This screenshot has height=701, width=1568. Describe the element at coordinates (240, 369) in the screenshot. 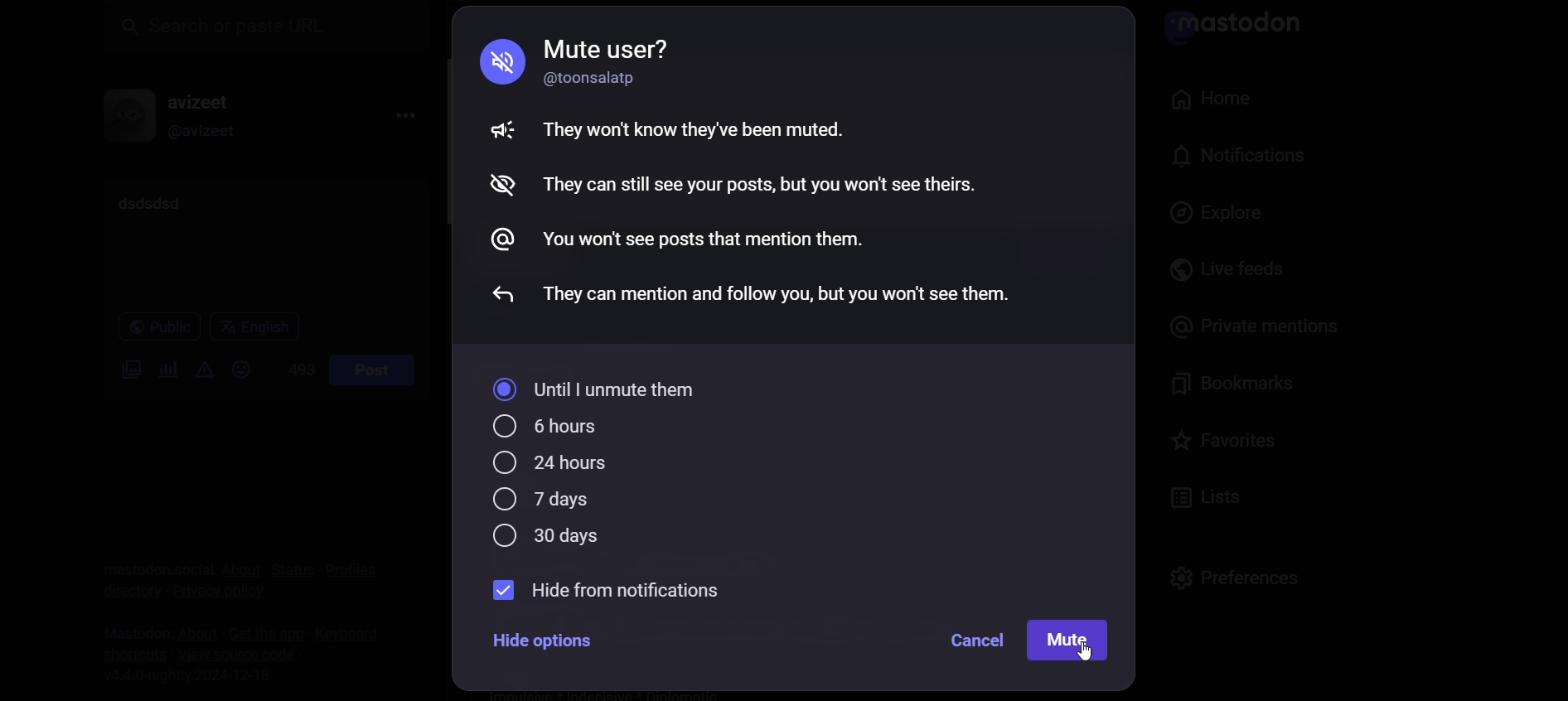

I see `add emoji` at that location.